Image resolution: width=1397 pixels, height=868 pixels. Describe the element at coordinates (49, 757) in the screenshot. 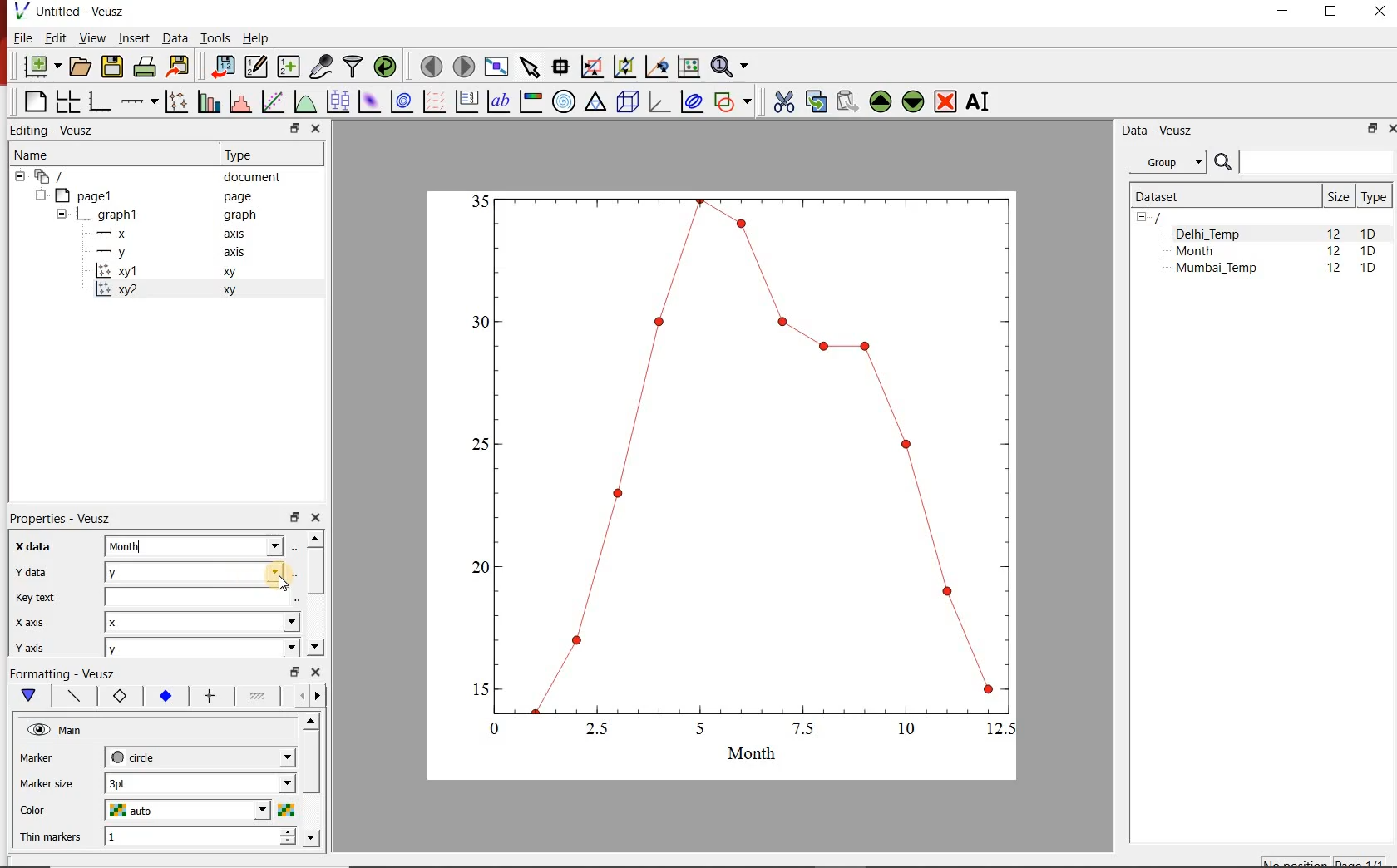

I see `marker` at that location.